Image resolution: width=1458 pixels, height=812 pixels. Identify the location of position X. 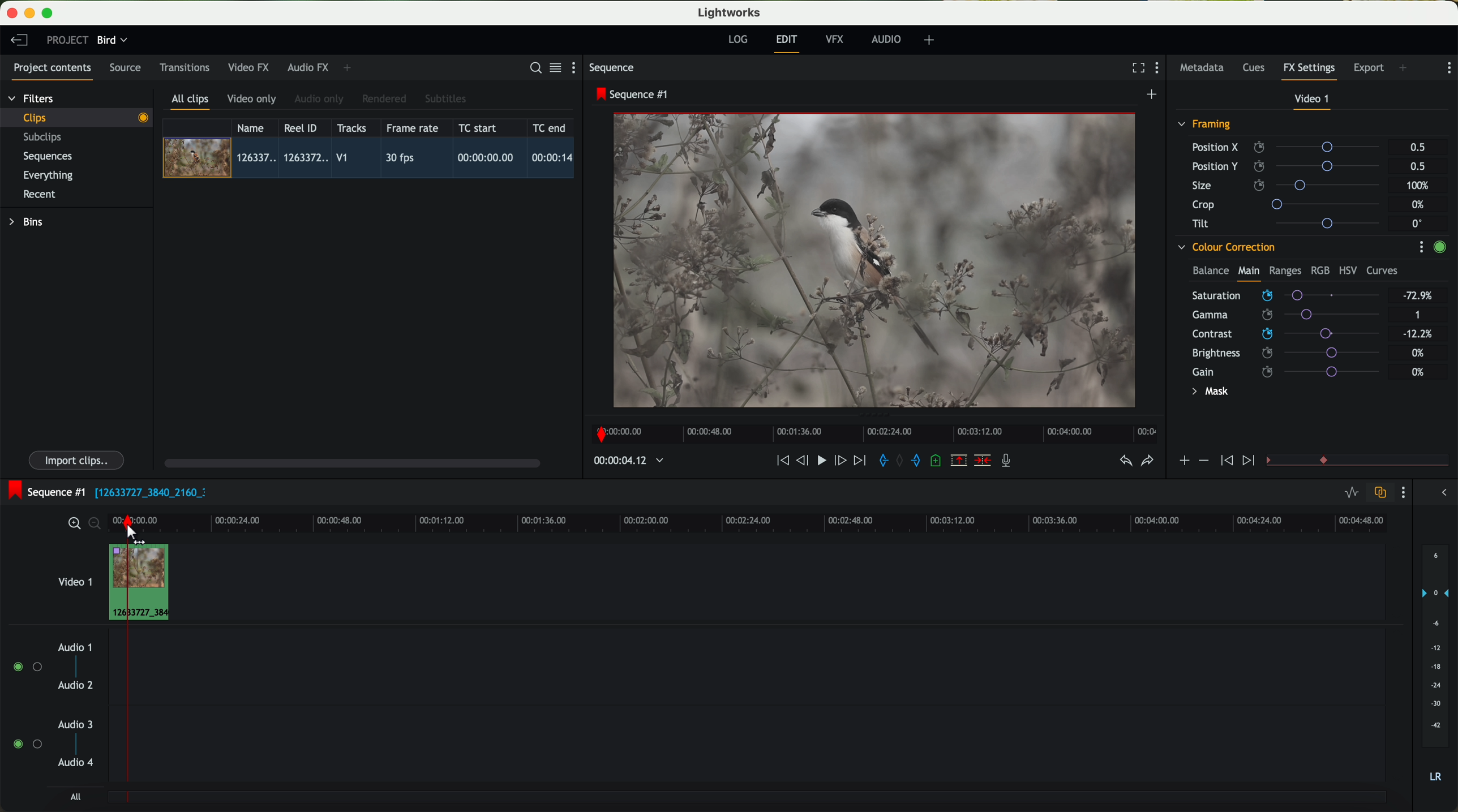
(1290, 147).